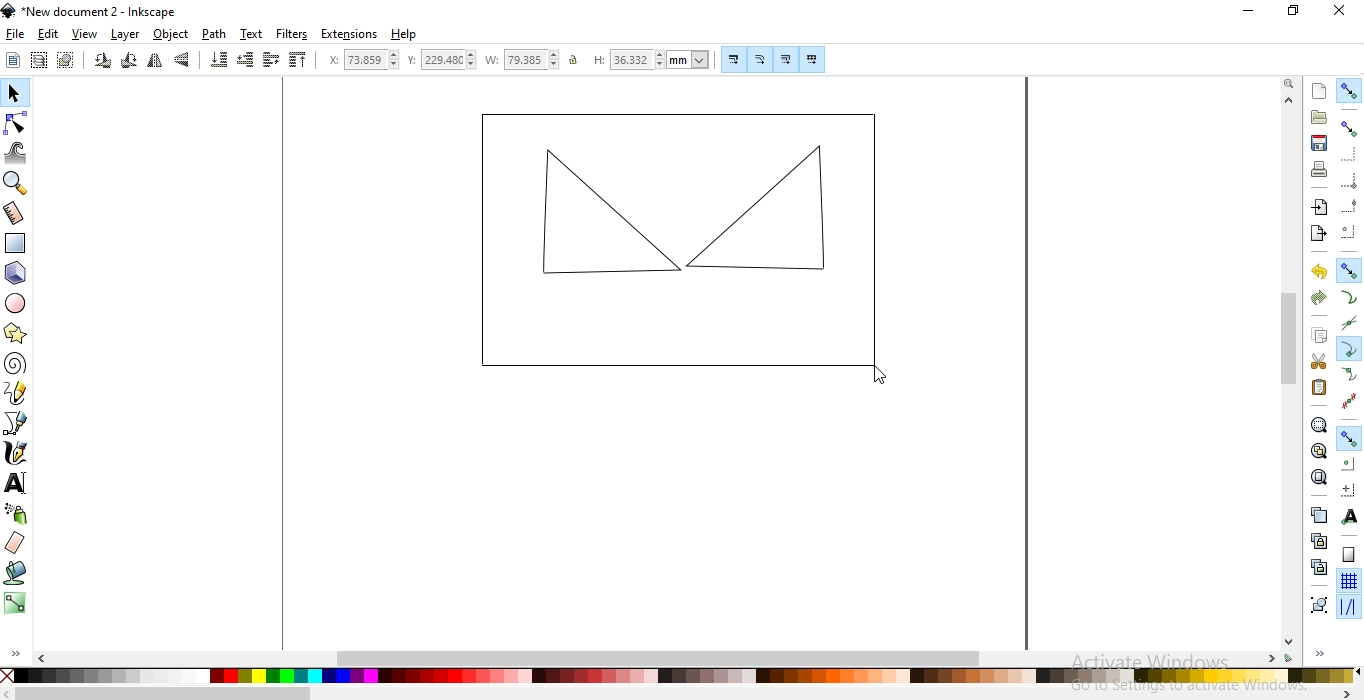 This screenshot has height=700, width=1364. I want to click on cursor, so click(876, 370).